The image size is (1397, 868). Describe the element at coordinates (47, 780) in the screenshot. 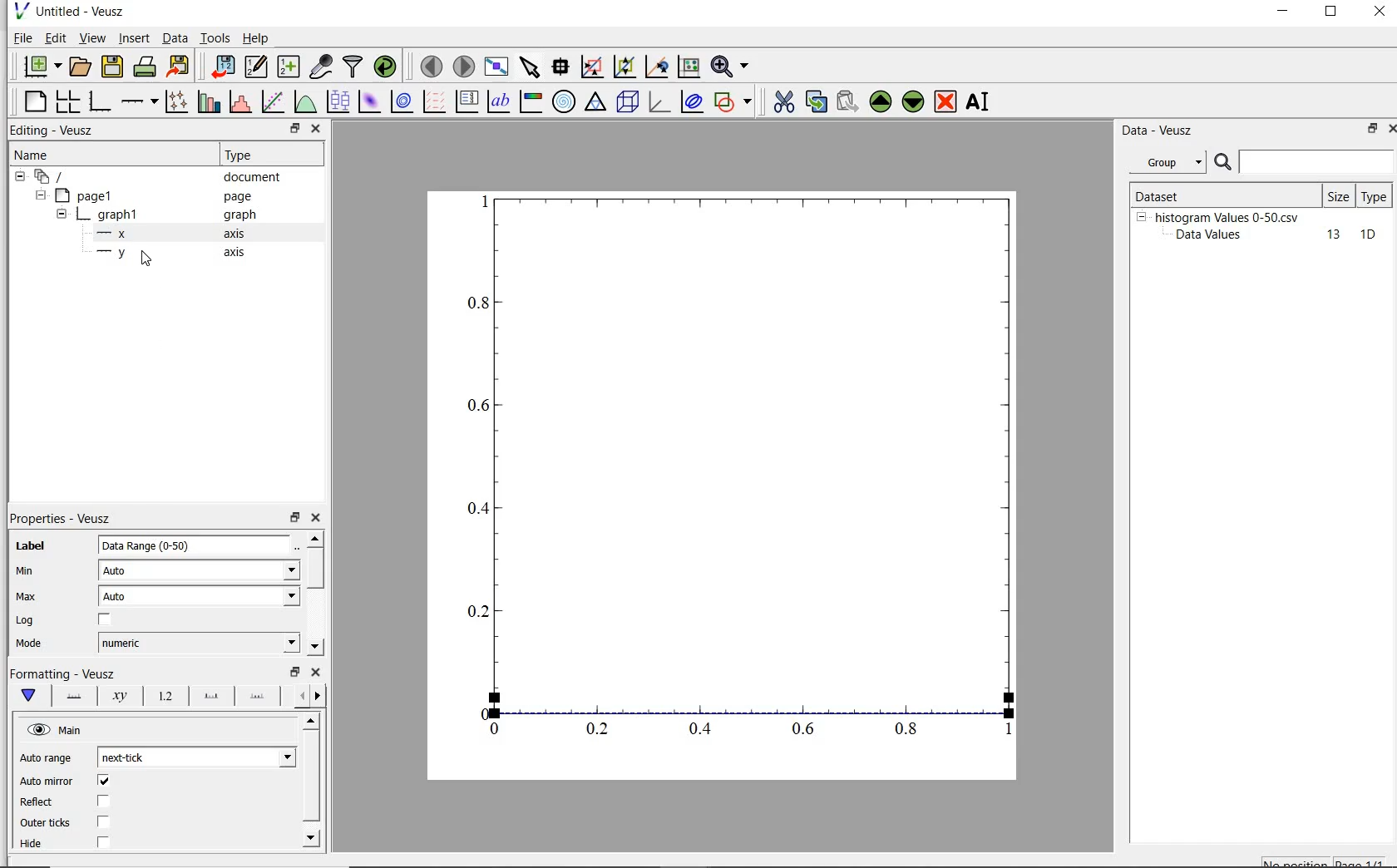

I see `‘Auto mirror` at that location.